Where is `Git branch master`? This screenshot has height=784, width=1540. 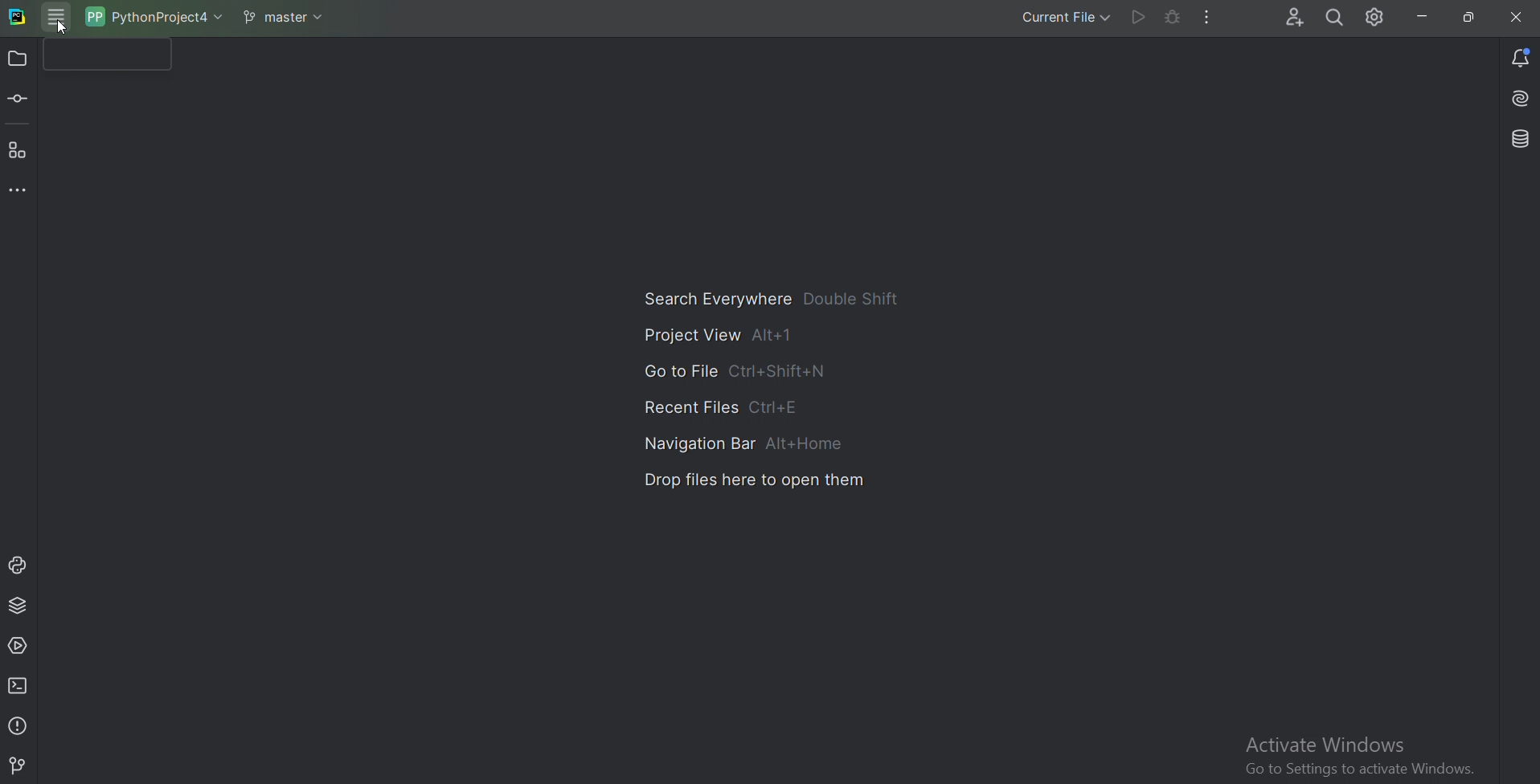
Git branch master is located at coordinates (285, 14).